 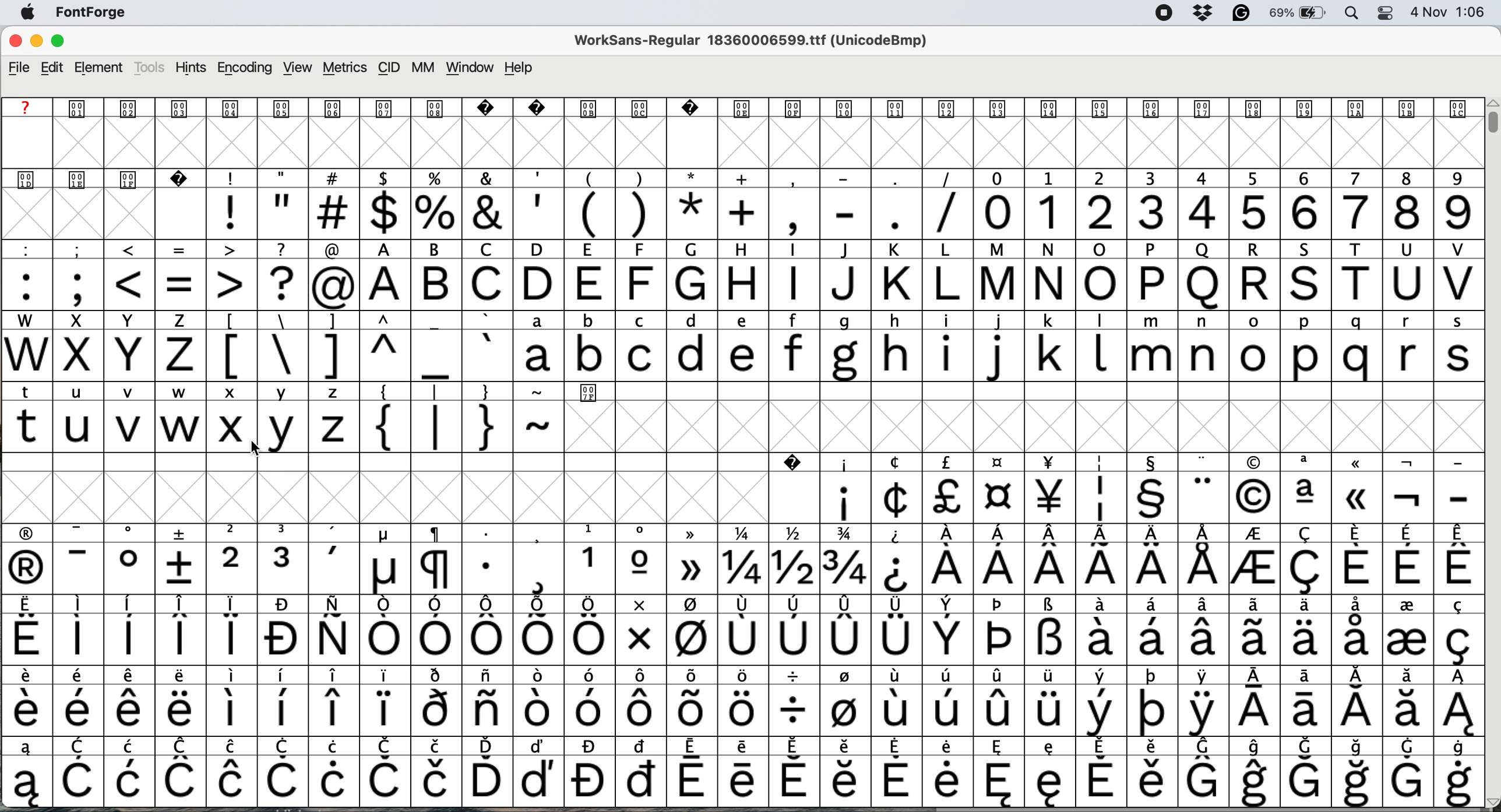 What do you see at coordinates (35, 43) in the screenshot?
I see `minimise` at bounding box center [35, 43].